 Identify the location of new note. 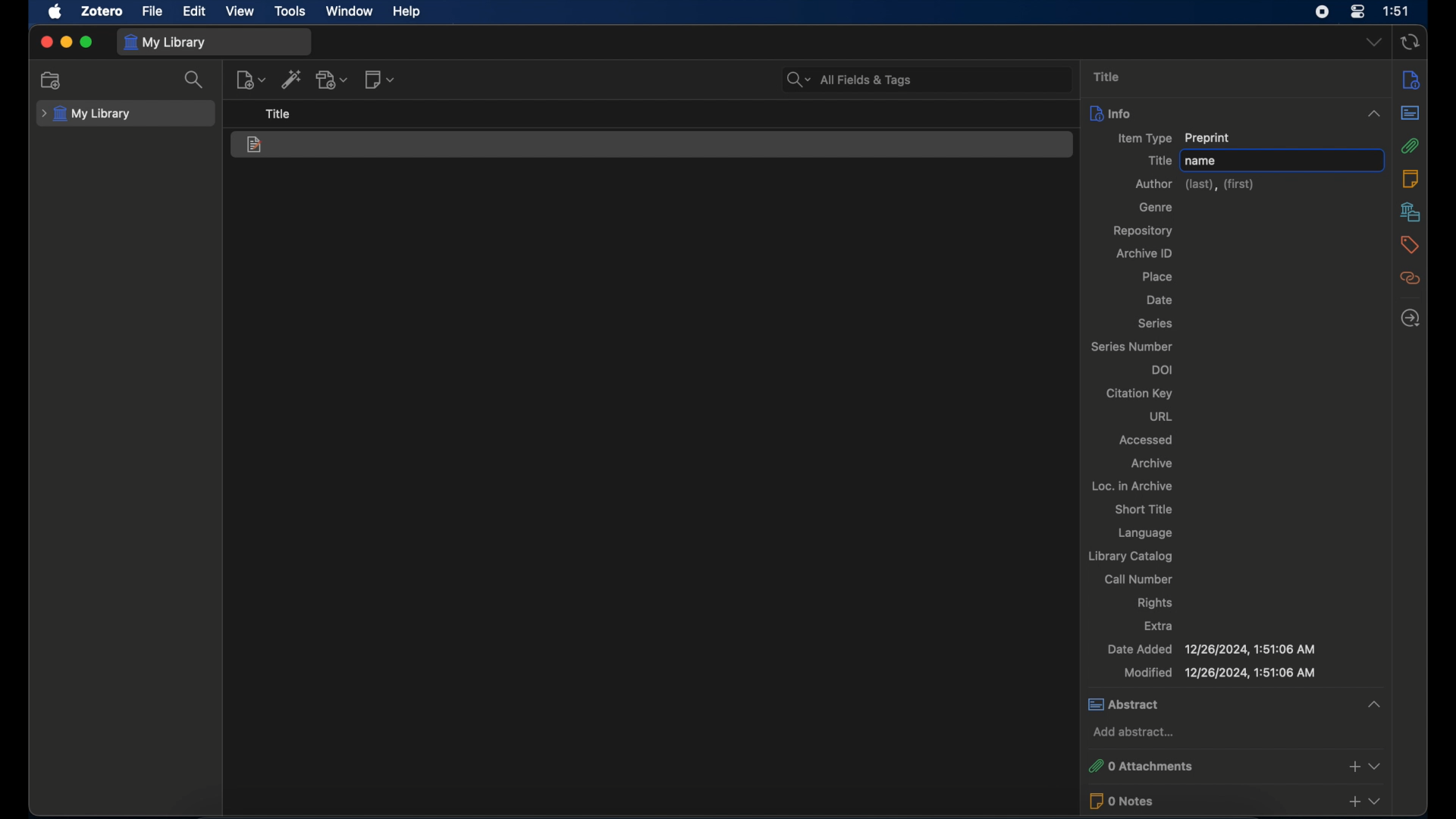
(379, 80).